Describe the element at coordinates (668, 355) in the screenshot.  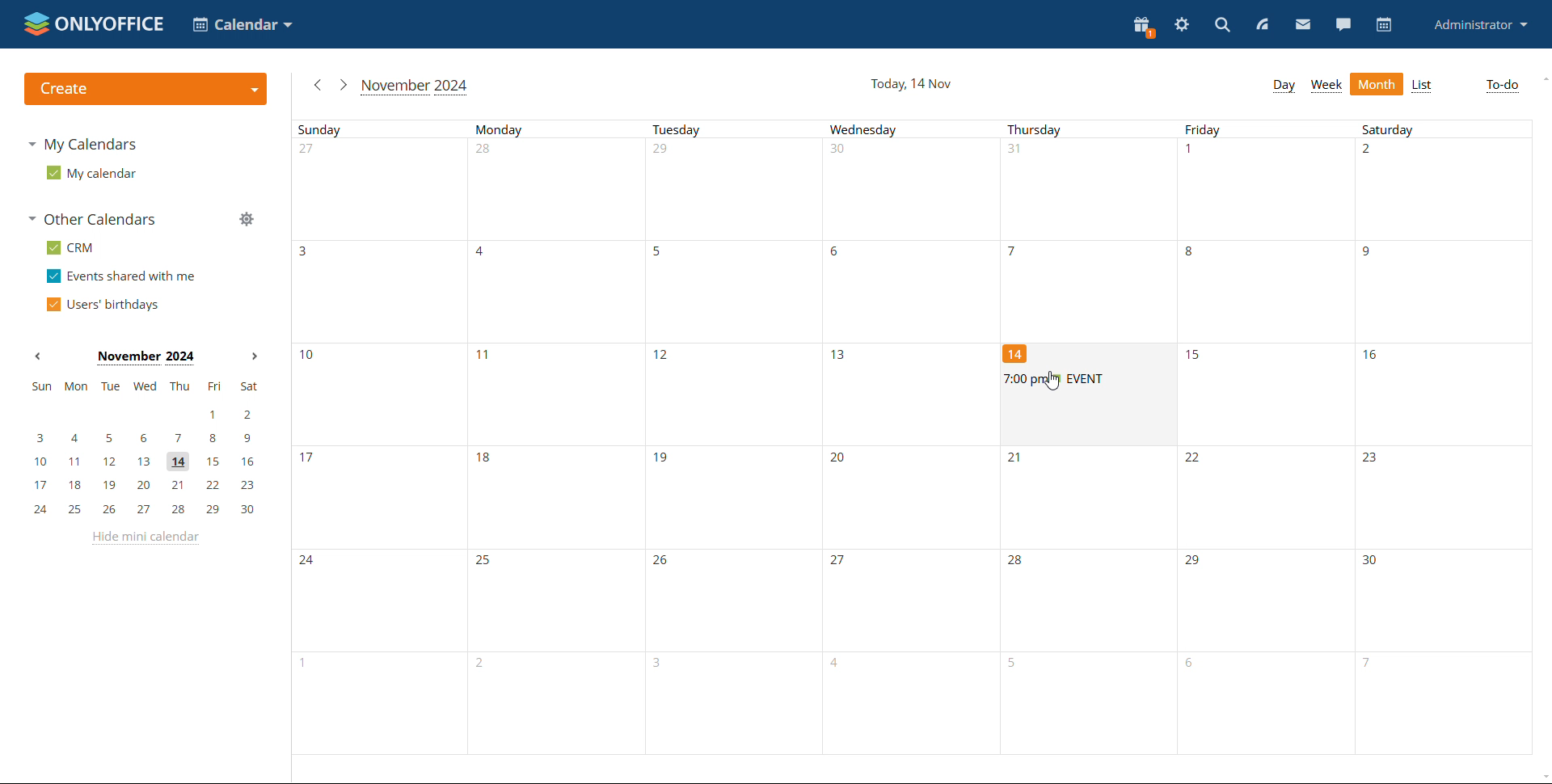
I see `number` at that location.